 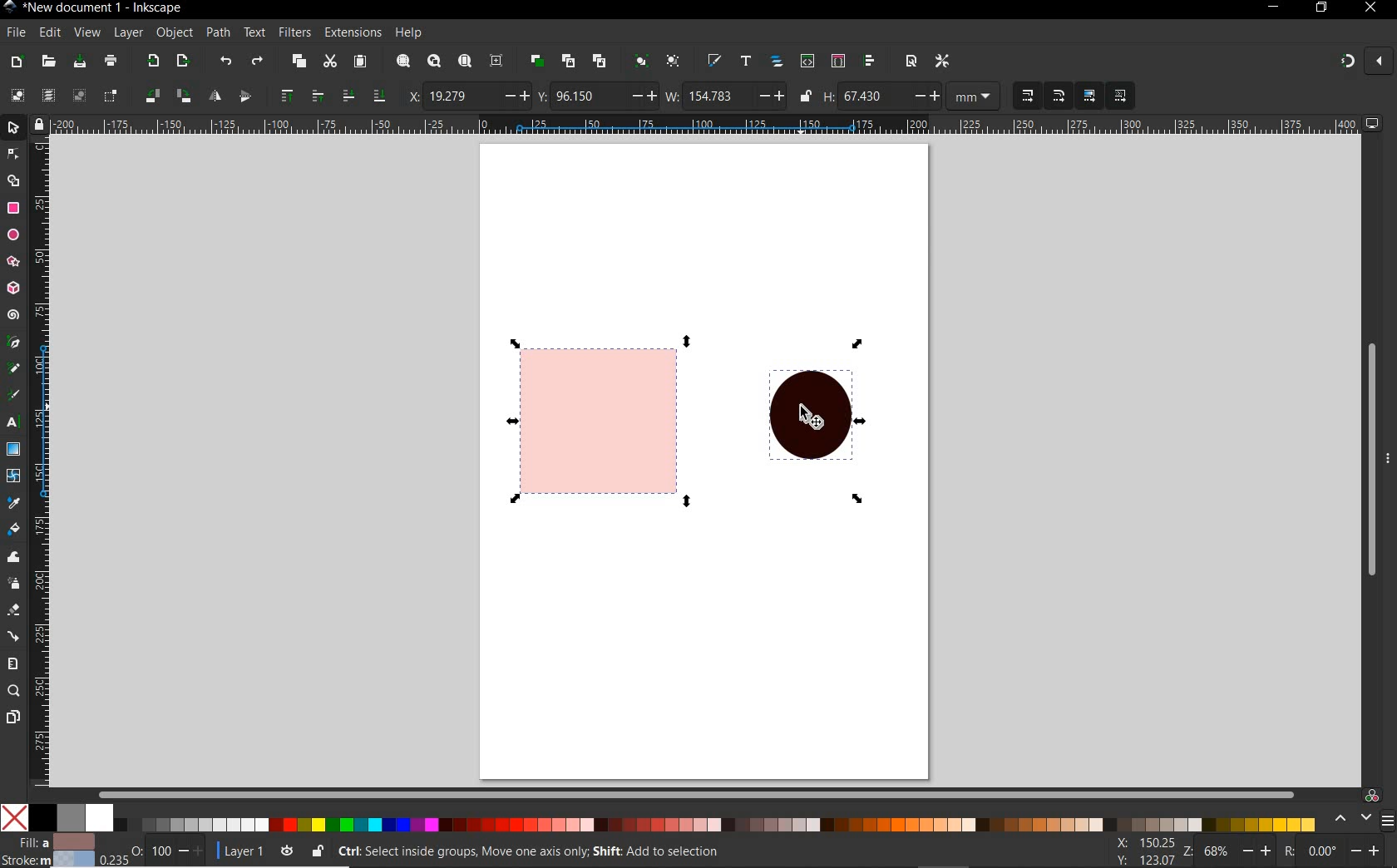 I want to click on minimize, so click(x=1275, y=6).